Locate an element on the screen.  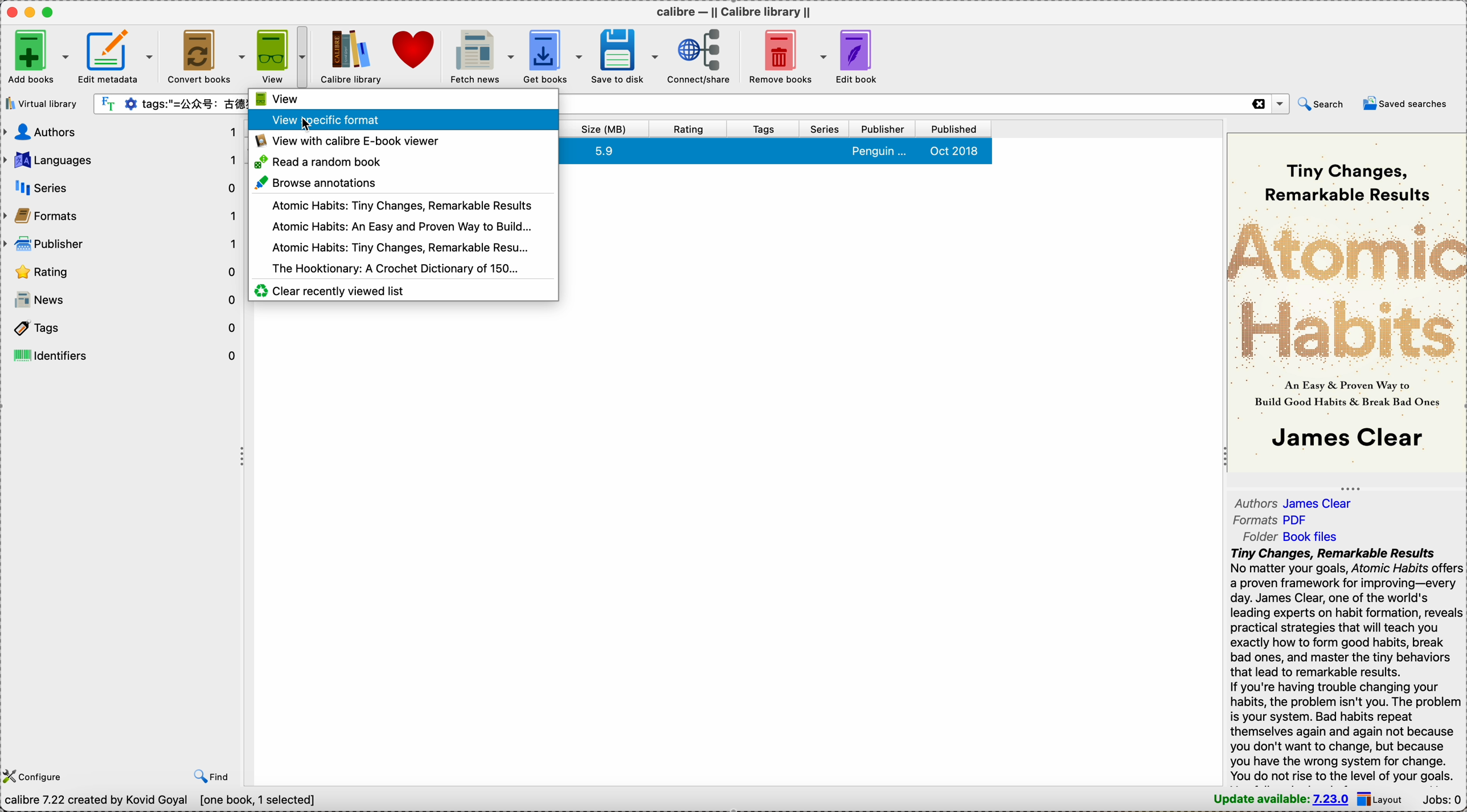
view is located at coordinates (274, 56).